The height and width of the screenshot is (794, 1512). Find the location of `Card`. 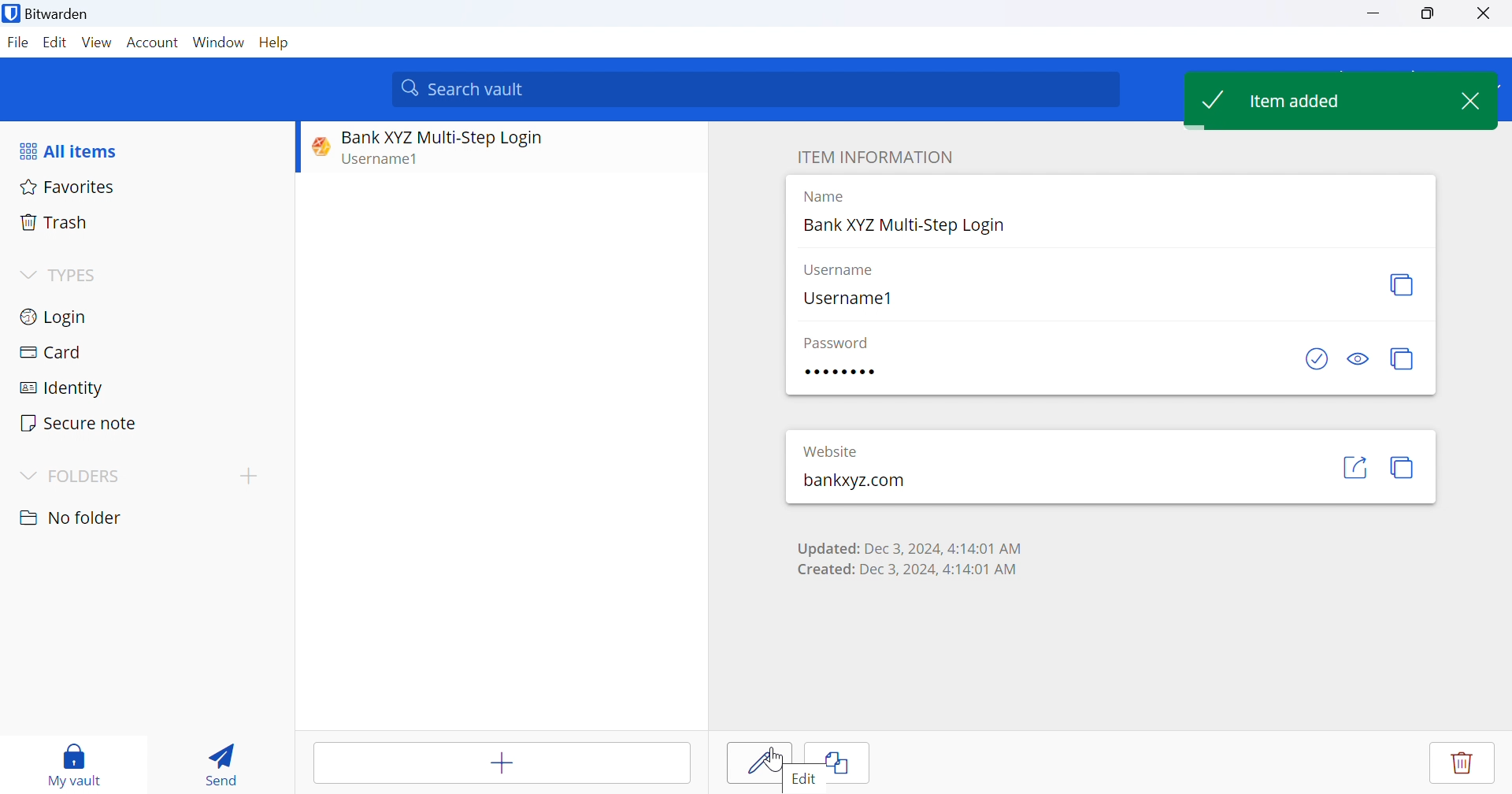

Card is located at coordinates (51, 351).